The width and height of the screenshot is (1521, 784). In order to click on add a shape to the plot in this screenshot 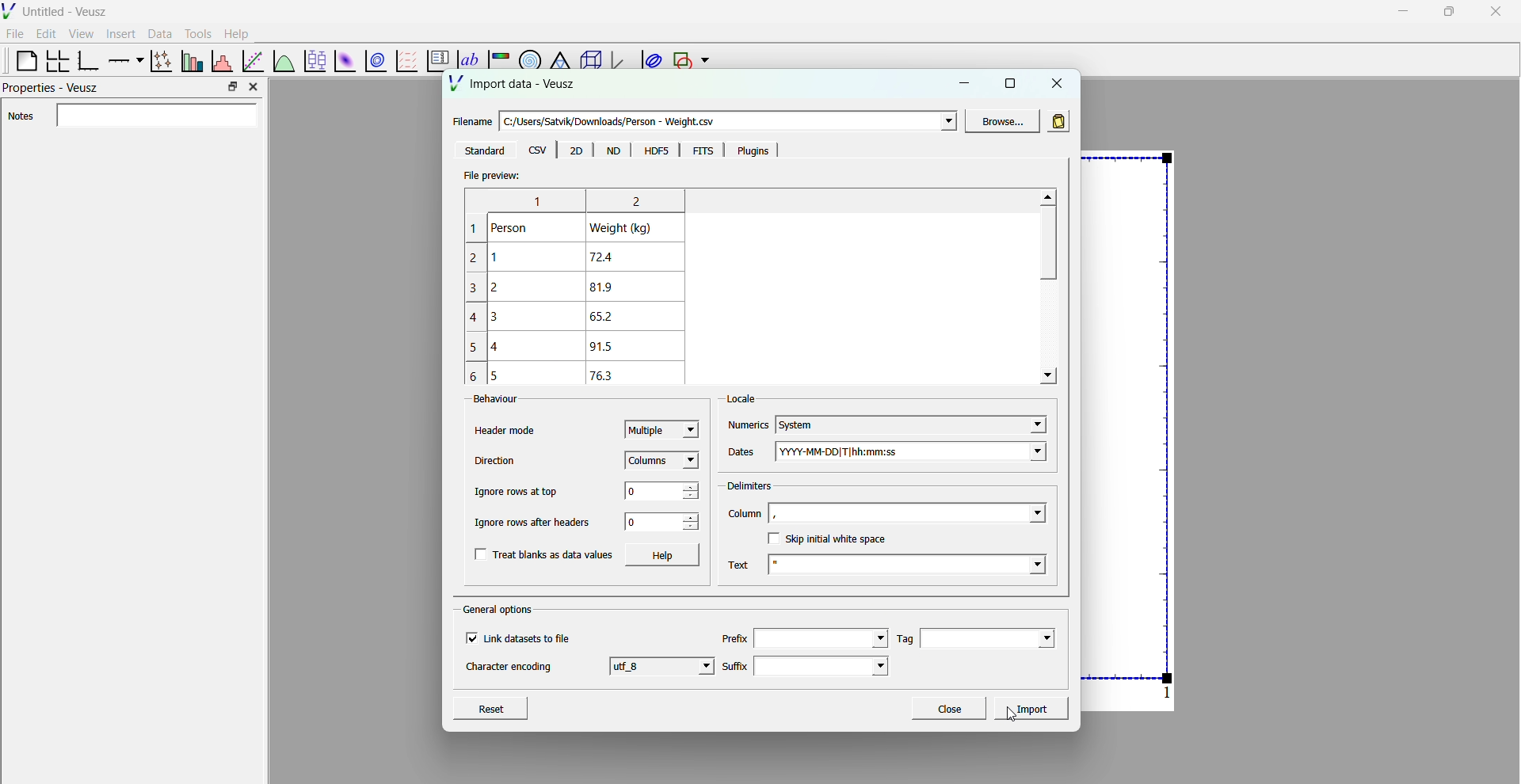, I will do `click(681, 61)`.